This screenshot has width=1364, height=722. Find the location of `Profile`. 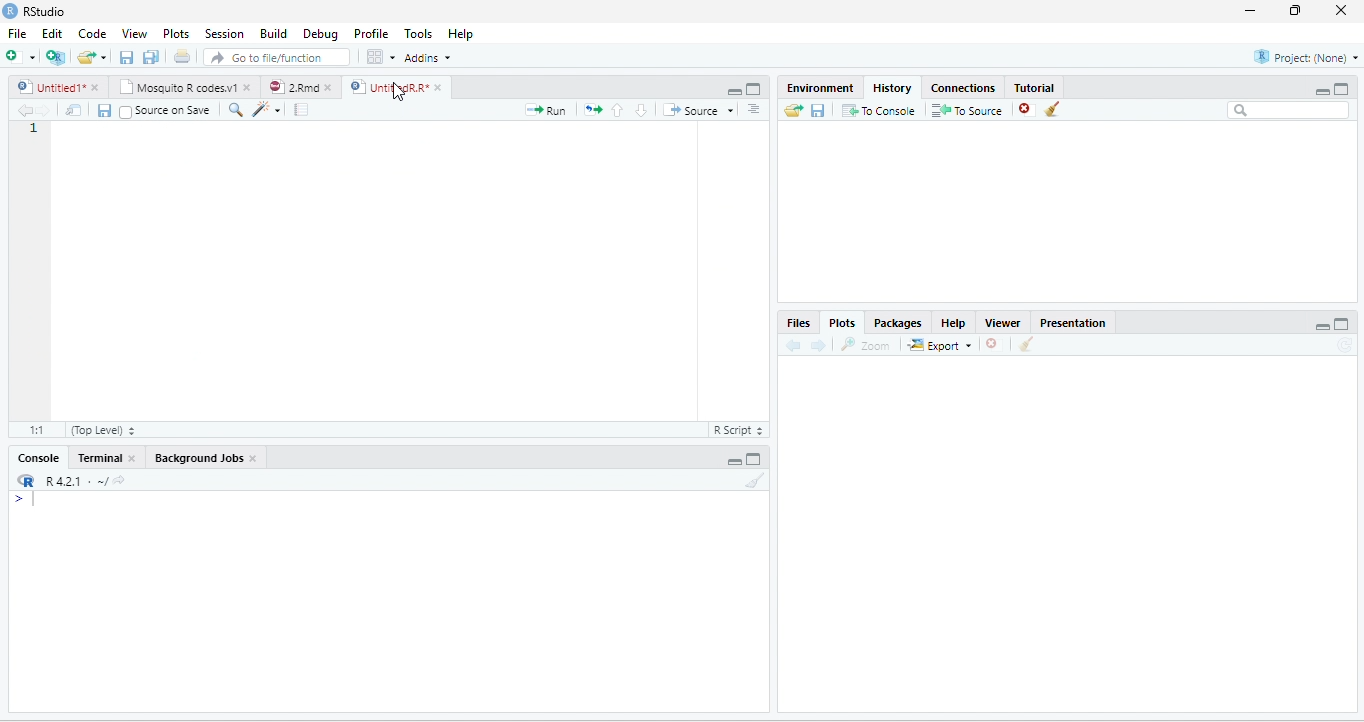

Profile is located at coordinates (371, 33).